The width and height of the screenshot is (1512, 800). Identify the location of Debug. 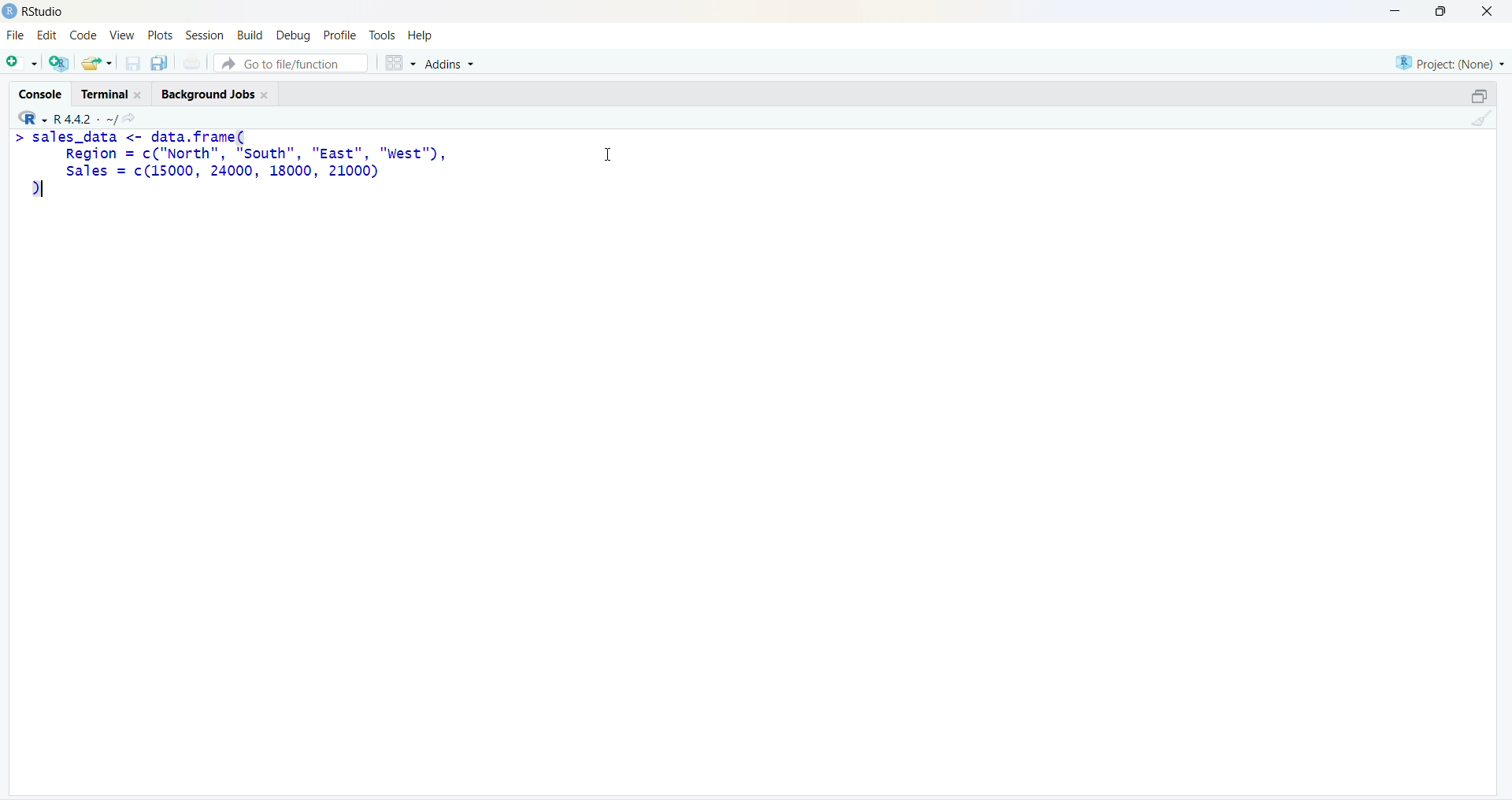
(293, 35).